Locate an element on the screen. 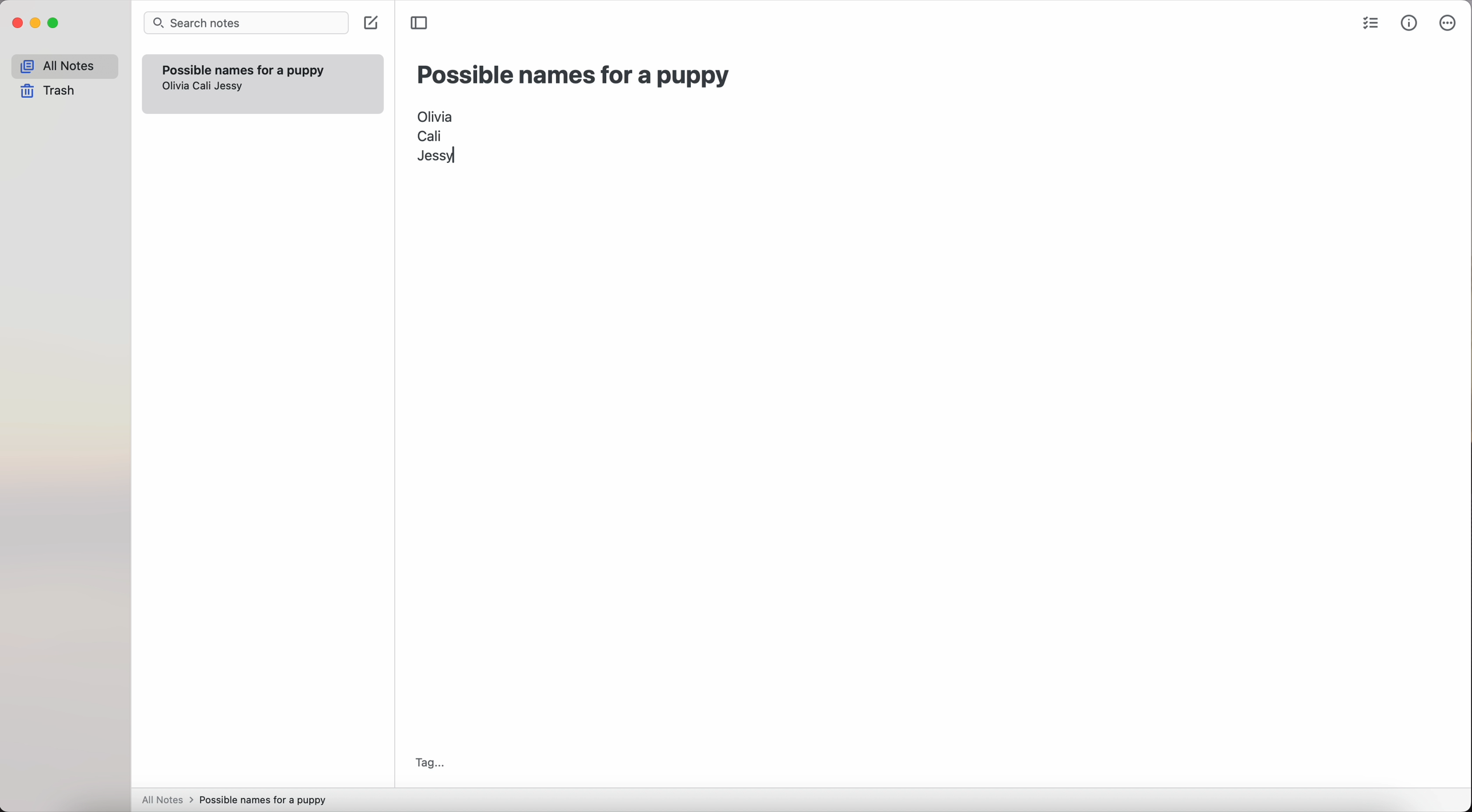 The height and width of the screenshot is (812, 1472). trash is located at coordinates (51, 91).